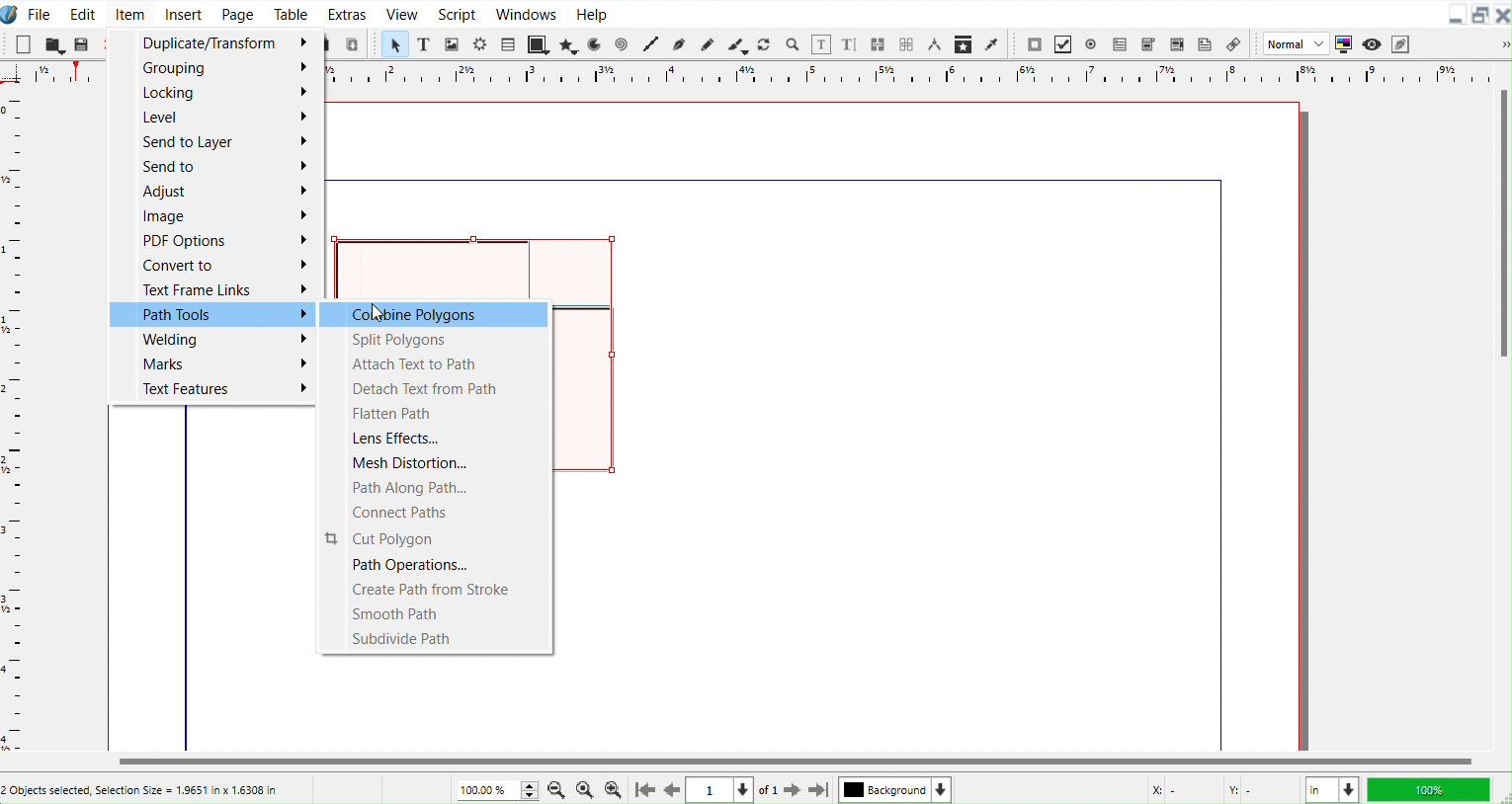 The height and width of the screenshot is (804, 1512). What do you see at coordinates (589, 388) in the screenshot?
I see `shapes` at bounding box center [589, 388].